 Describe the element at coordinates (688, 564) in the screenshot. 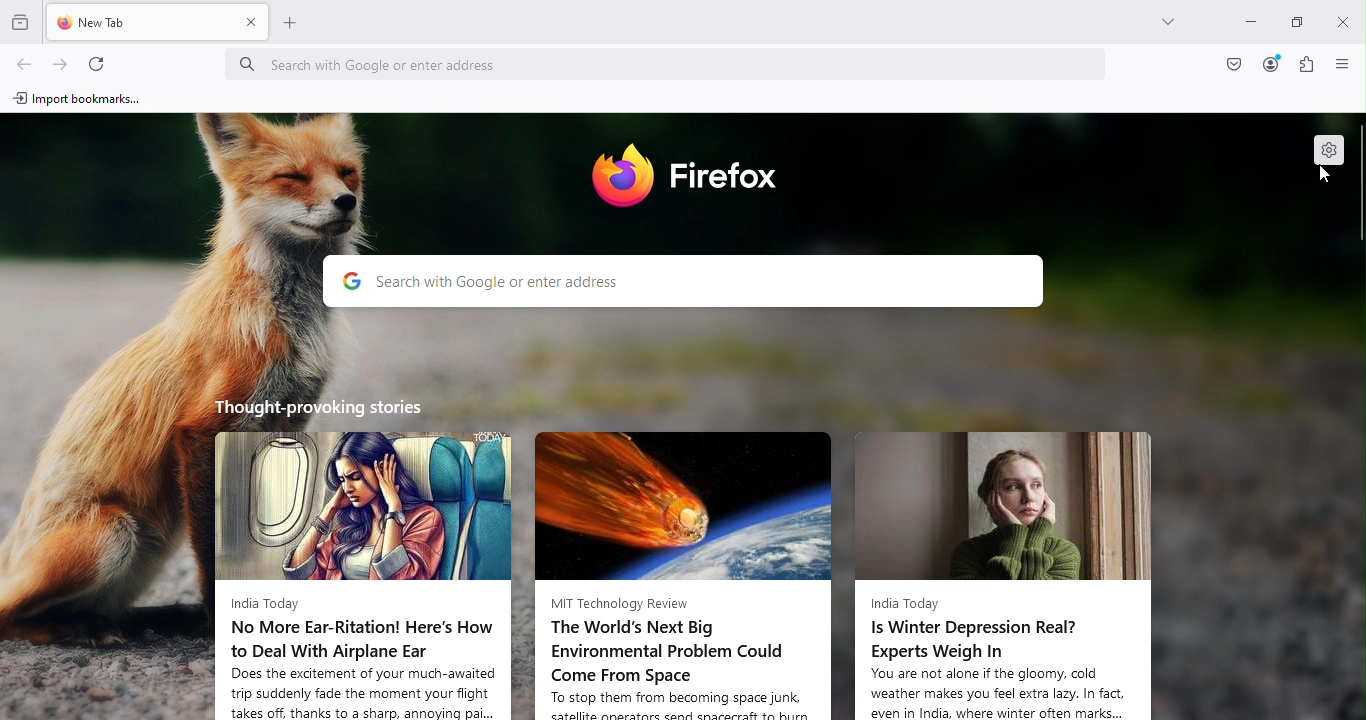

I see `New articles` at that location.